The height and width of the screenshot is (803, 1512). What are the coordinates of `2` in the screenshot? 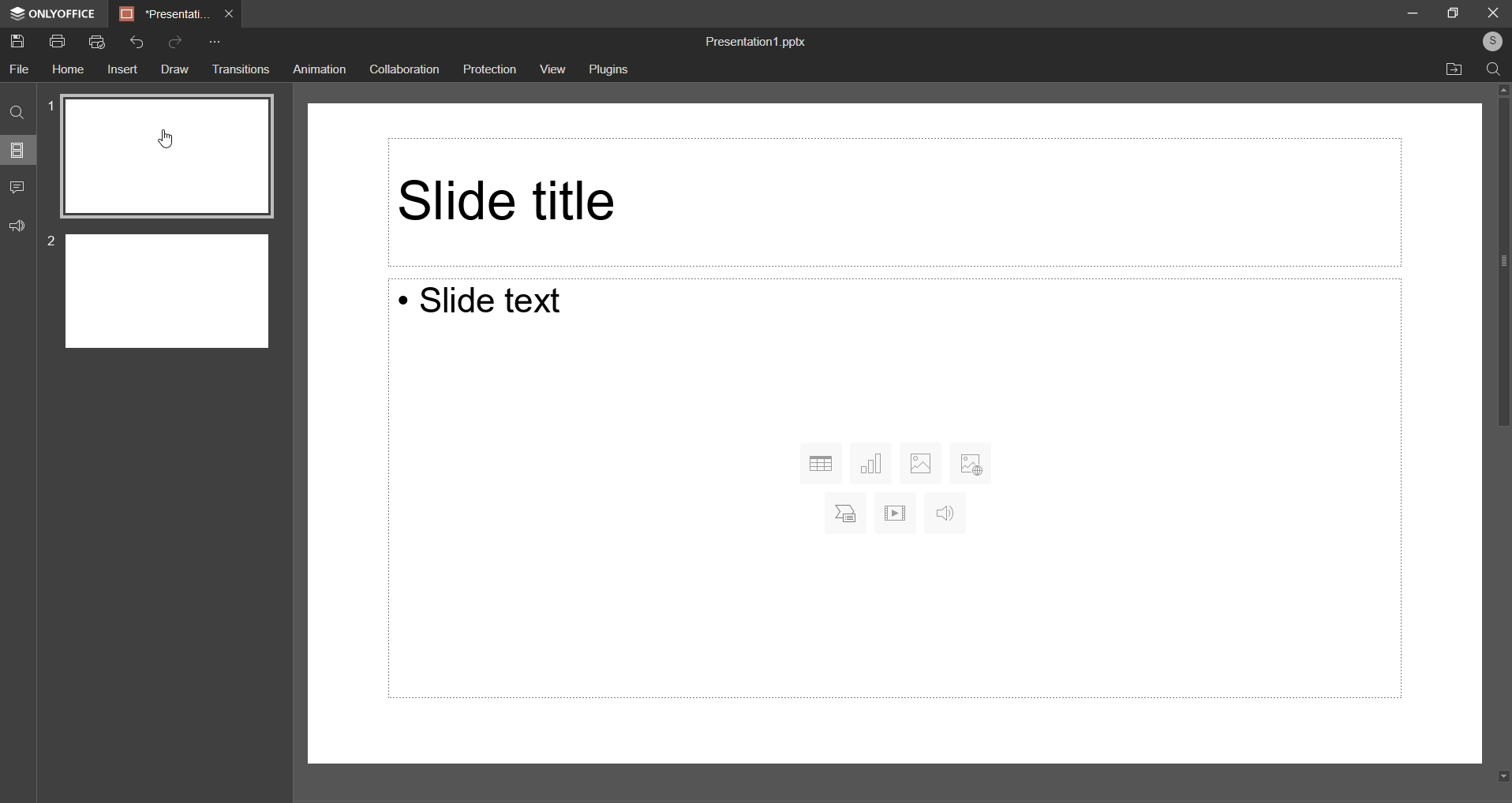 It's located at (52, 242).